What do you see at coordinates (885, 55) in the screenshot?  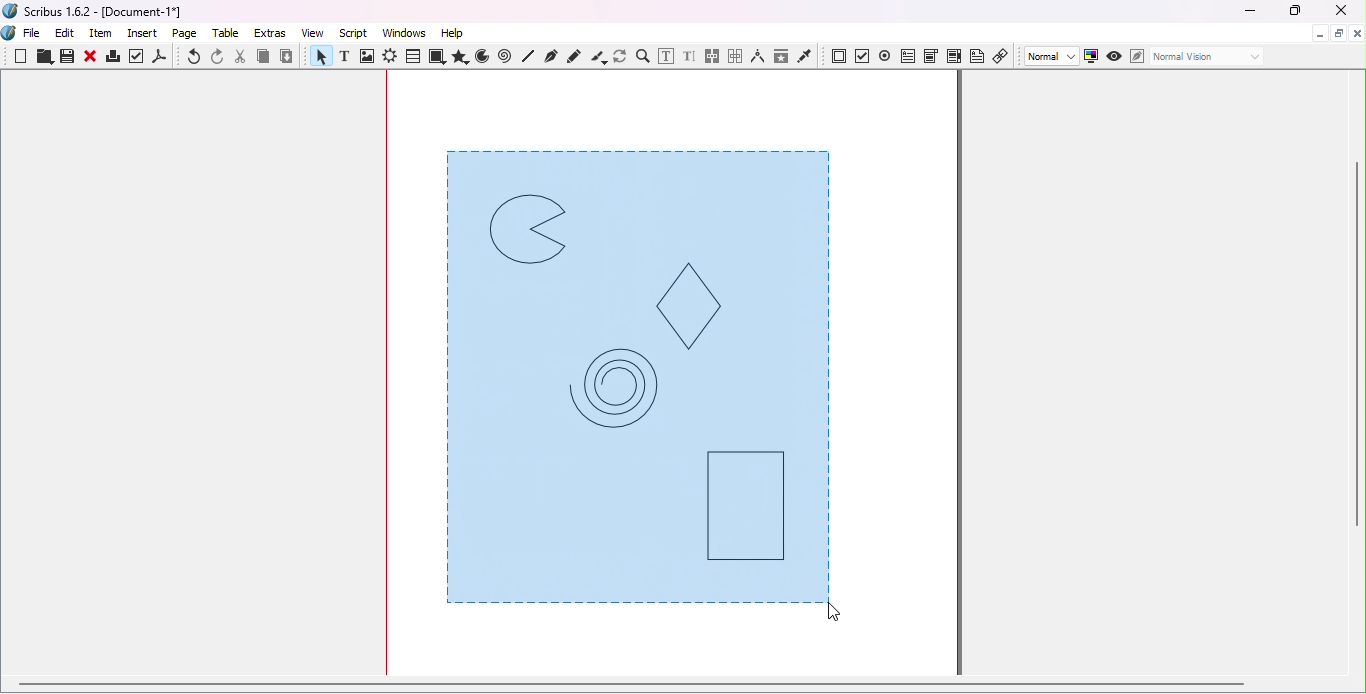 I see `PDF radio button` at bounding box center [885, 55].